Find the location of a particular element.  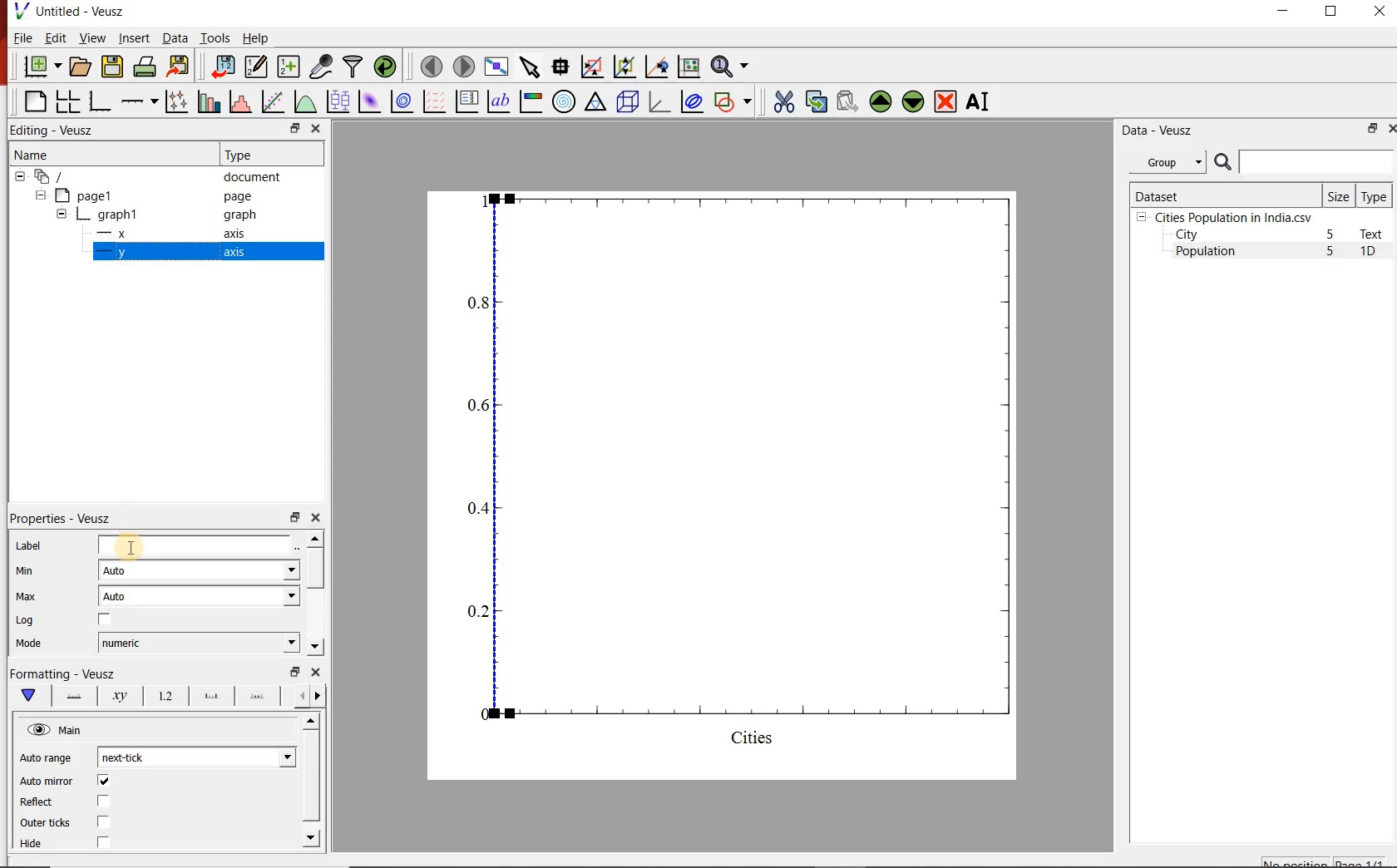

polar graph is located at coordinates (564, 101).